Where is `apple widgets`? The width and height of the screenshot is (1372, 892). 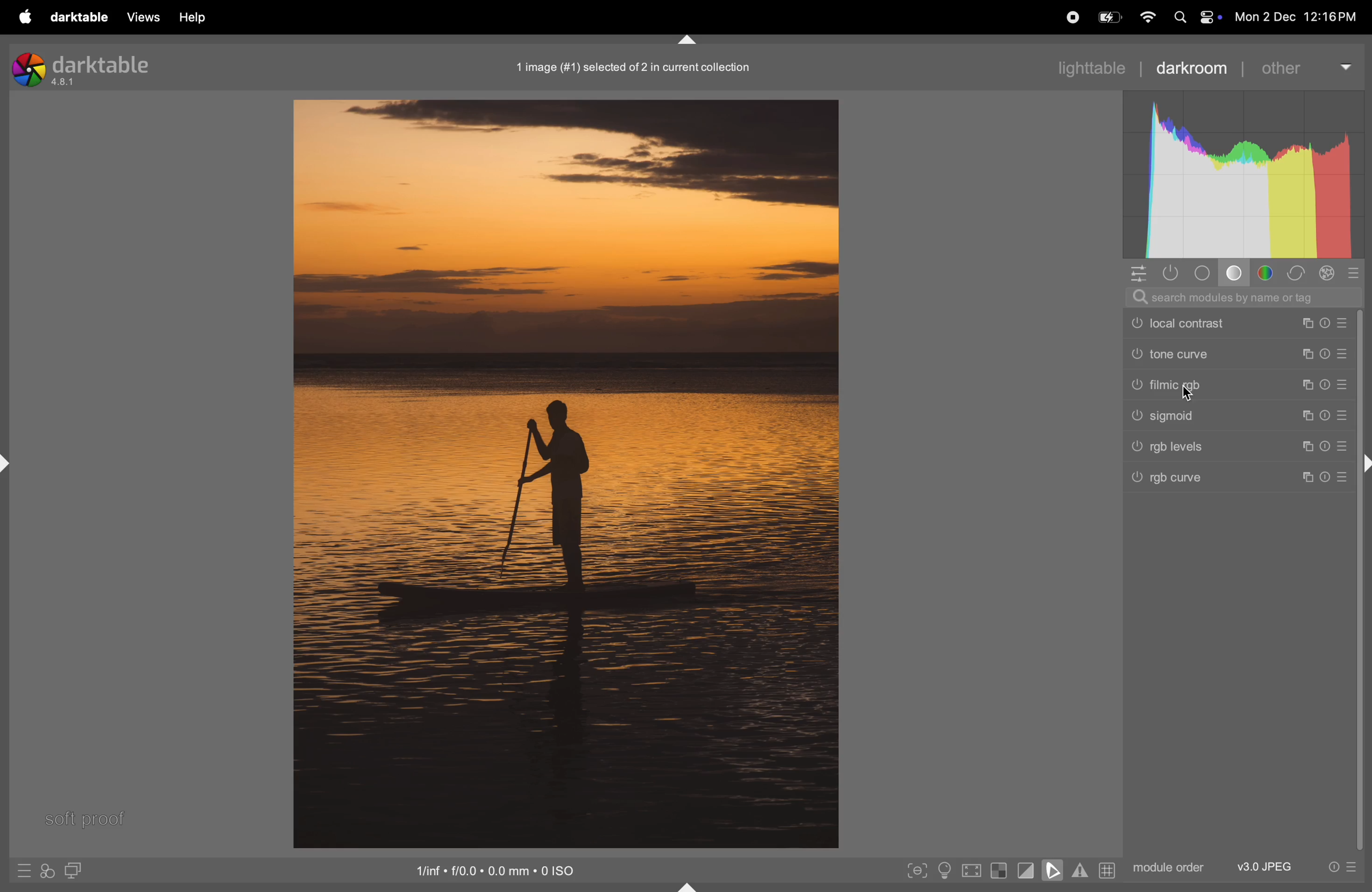 apple widgets is located at coordinates (1194, 18).